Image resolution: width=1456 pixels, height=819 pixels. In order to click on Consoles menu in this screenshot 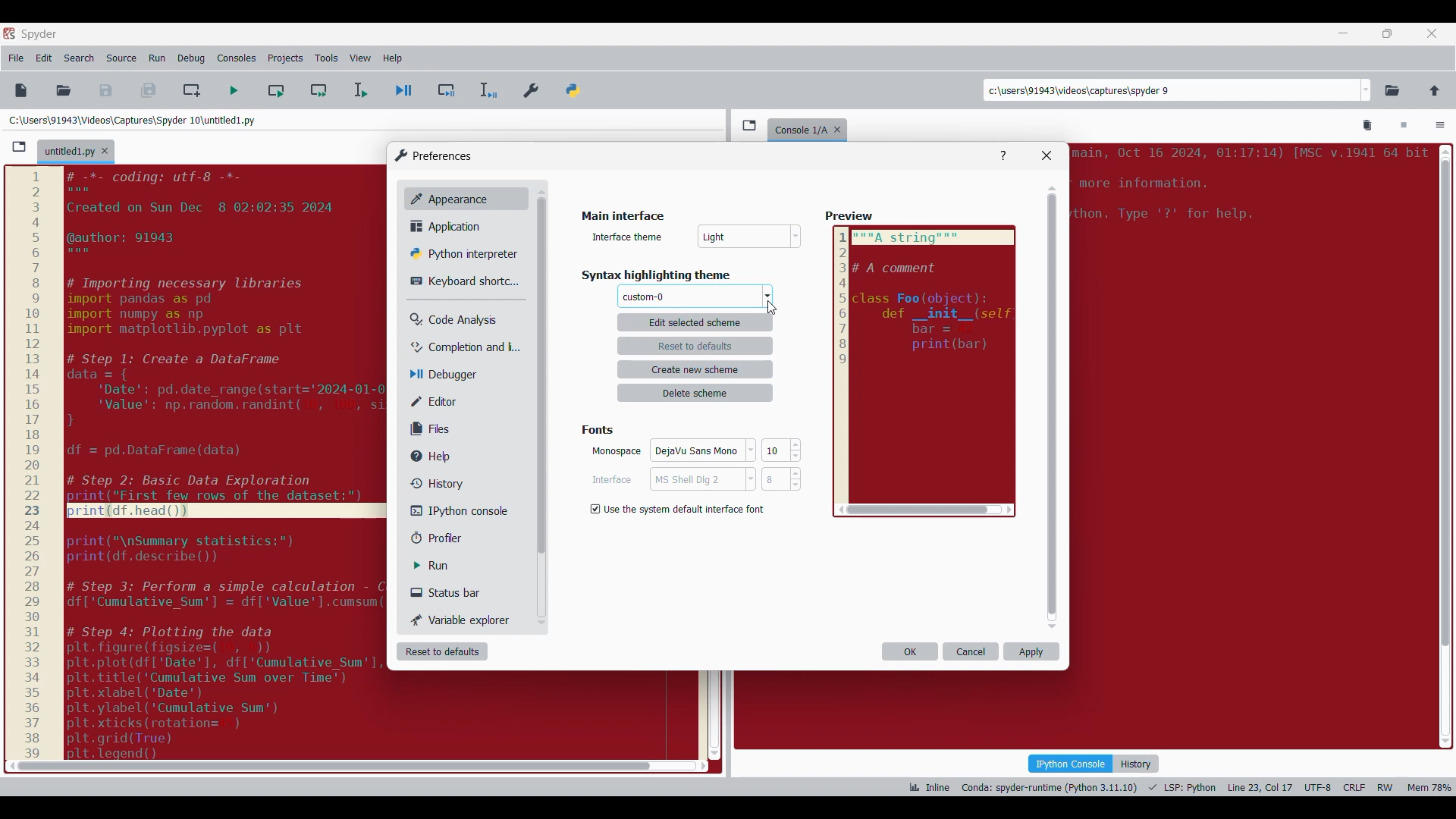, I will do `click(237, 58)`.